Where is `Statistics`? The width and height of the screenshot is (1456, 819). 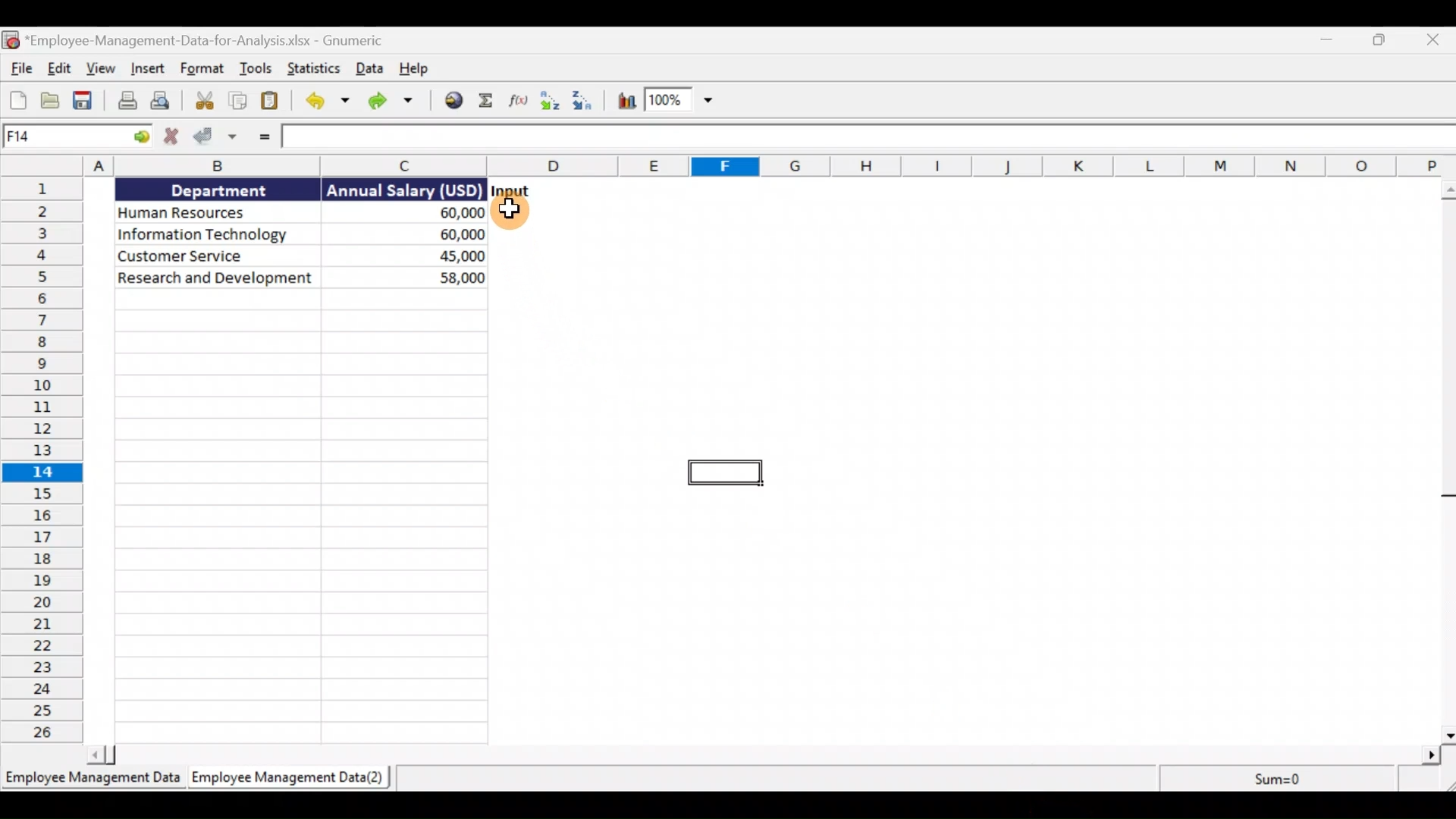 Statistics is located at coordinates (315, 70).